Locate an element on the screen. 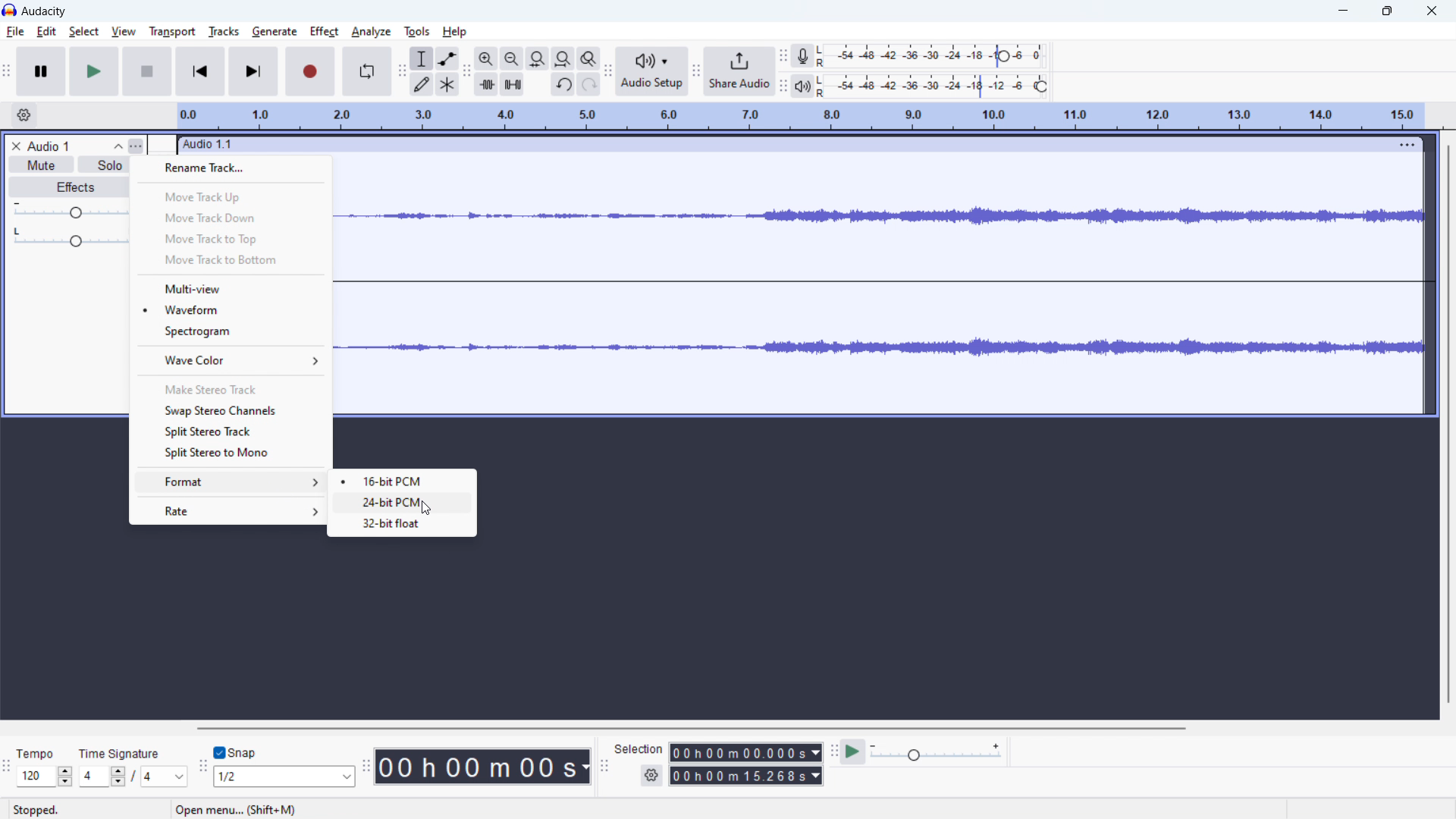 This screenshot has width=1456, height=819. move track to top is located at coordinates (231, 238).